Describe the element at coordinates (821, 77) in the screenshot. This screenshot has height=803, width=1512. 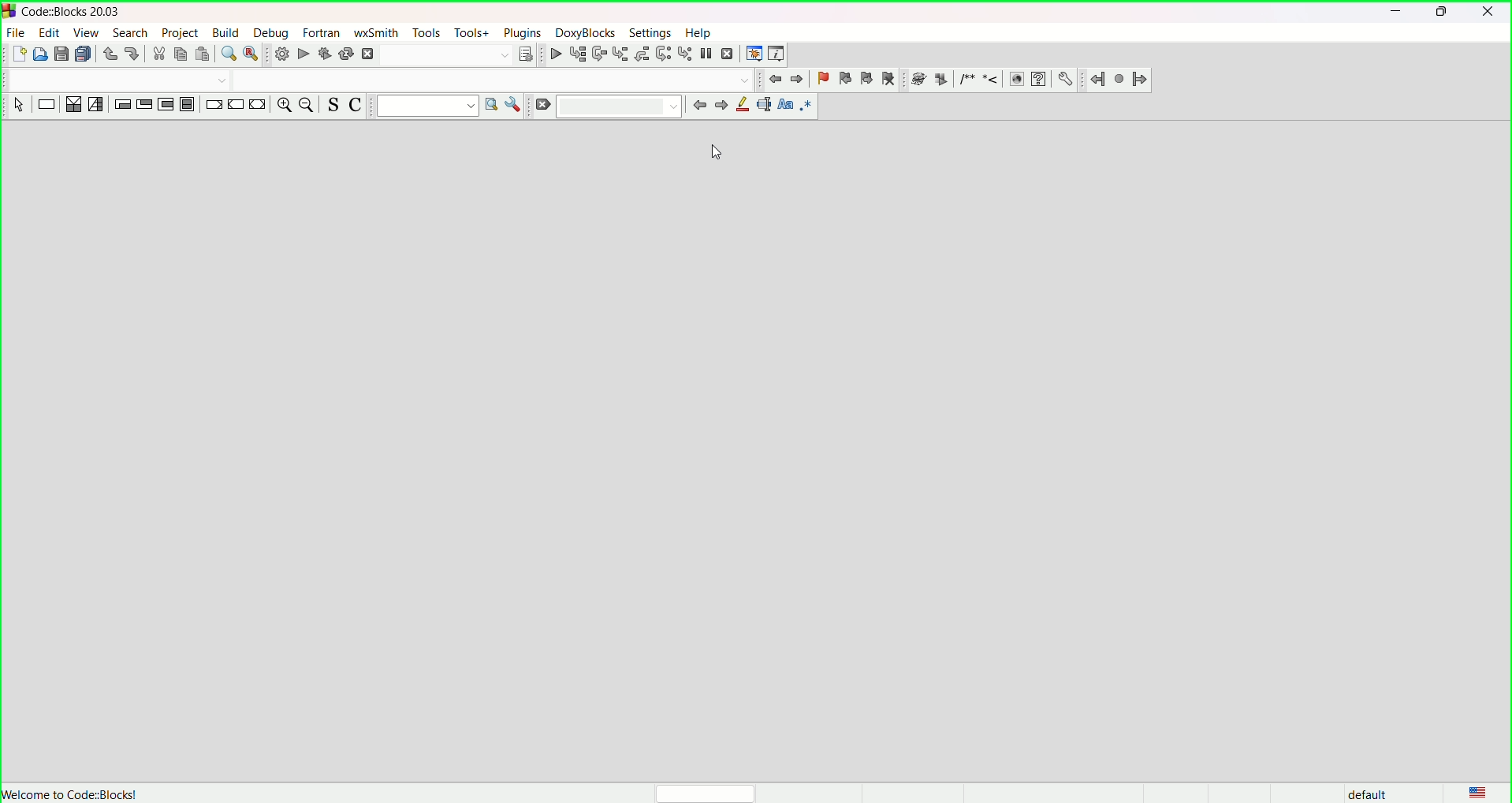
I see `toggle bookmark` at that location.